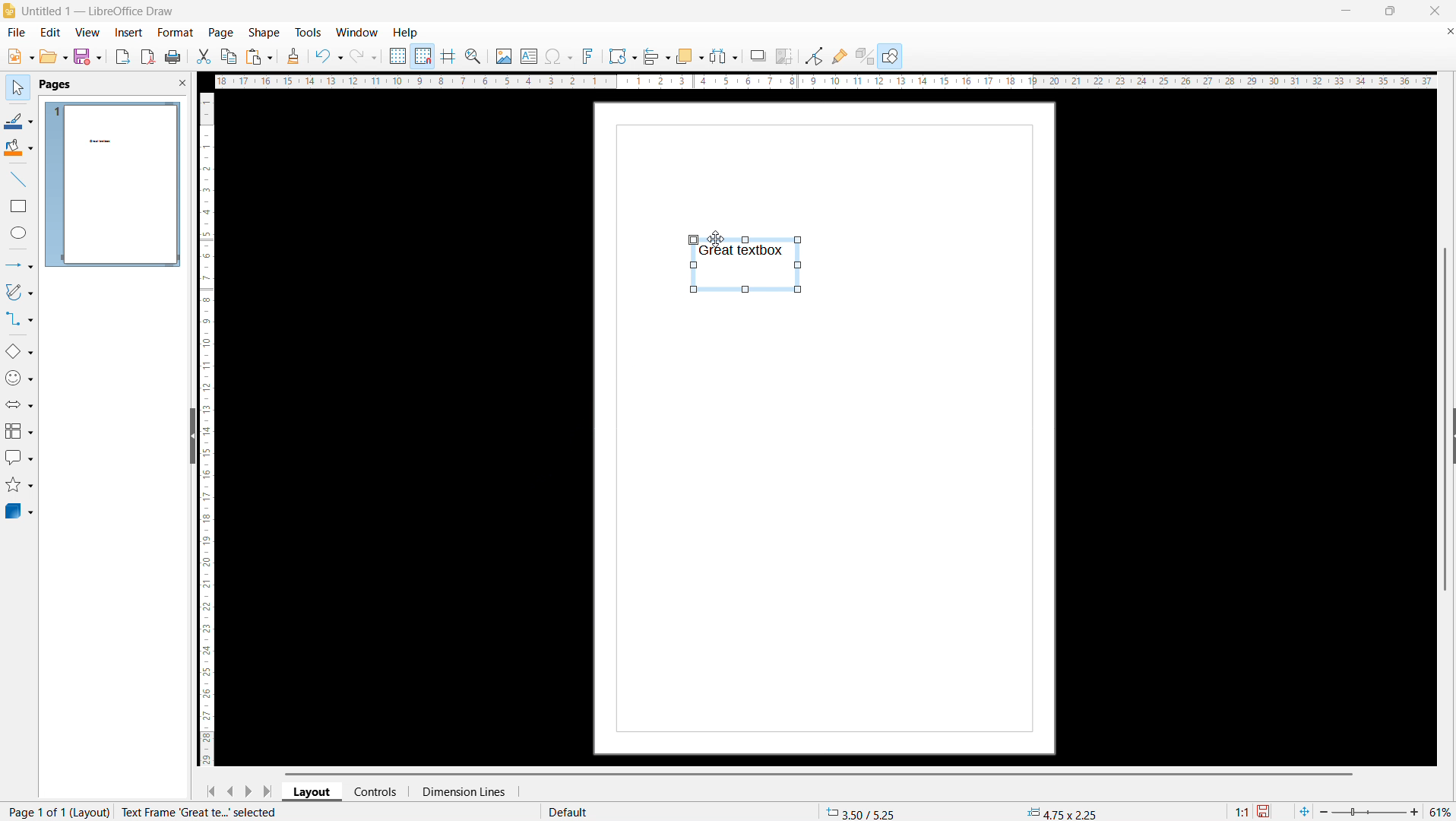 This screenshot has height=821, width=1456. Describe the element at coordinates (364, 55) in the screenshot. I see `redo` at that location.